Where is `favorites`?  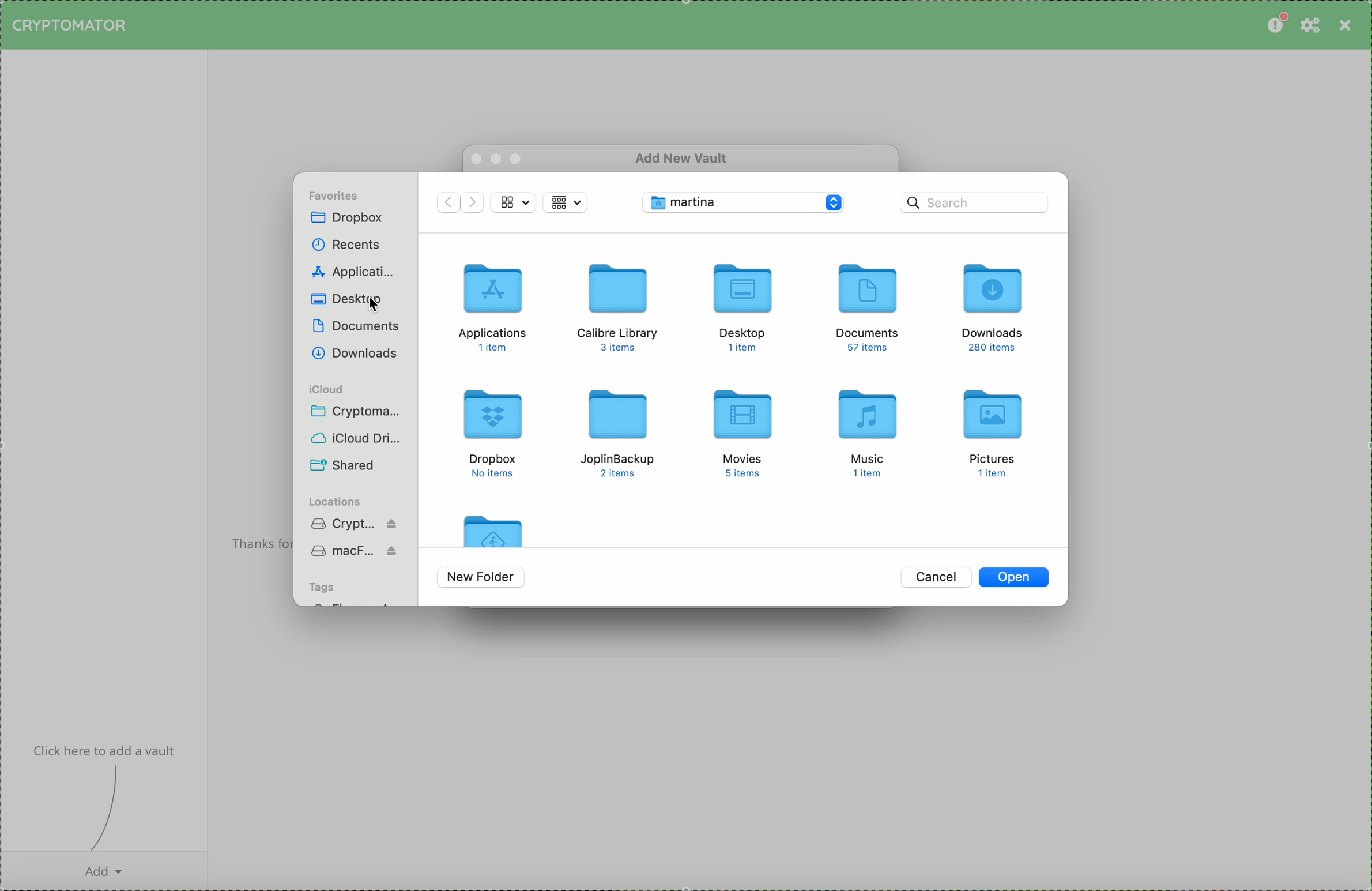
favorites is located at coordinates (332, 197).